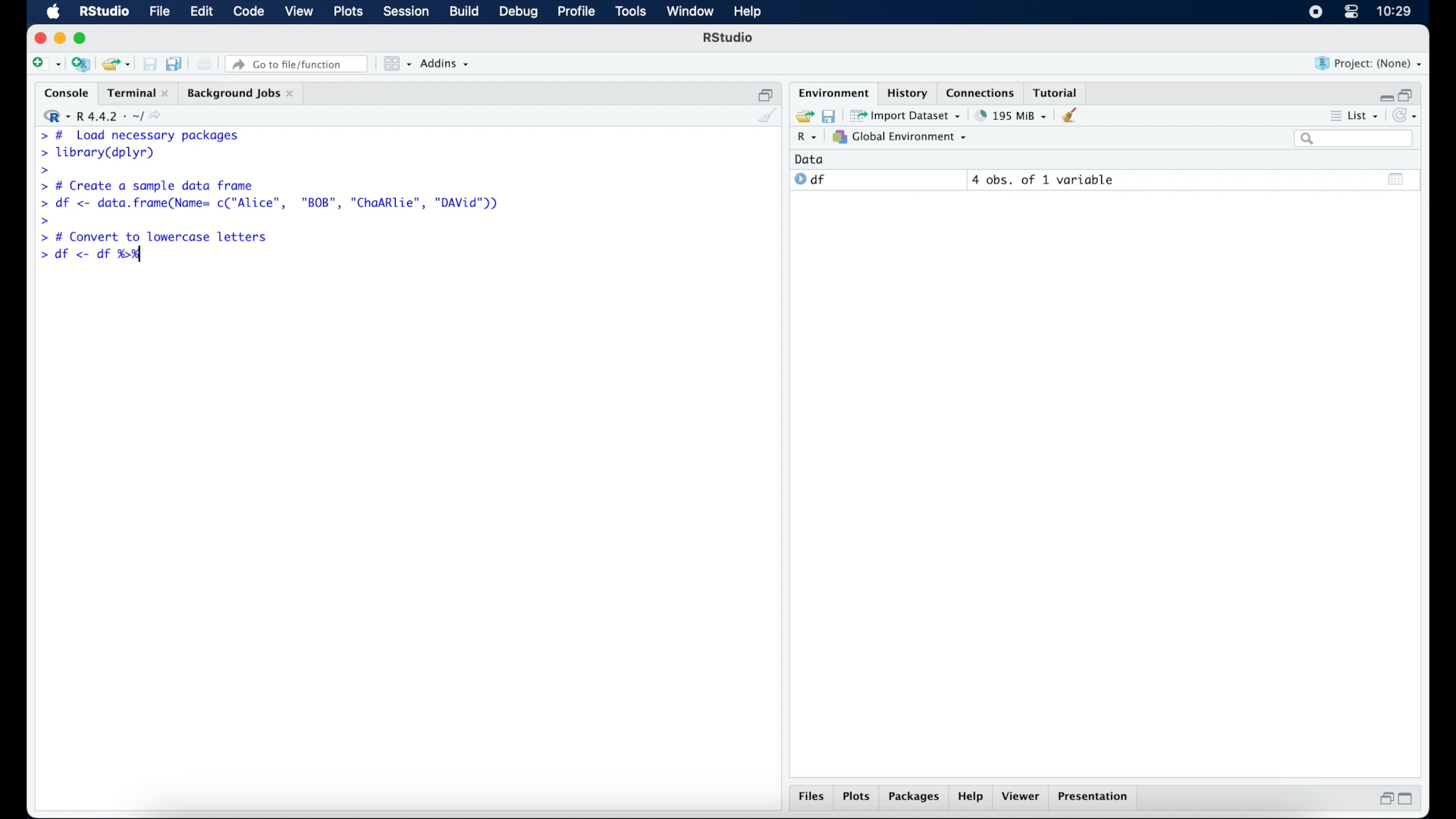 Image resolution: width=1456 pixels, height=819 pixels. What do you see at coordinates (1024, 798) in the screenshot?
I see `viewer` at bounding box center [1024, 798].